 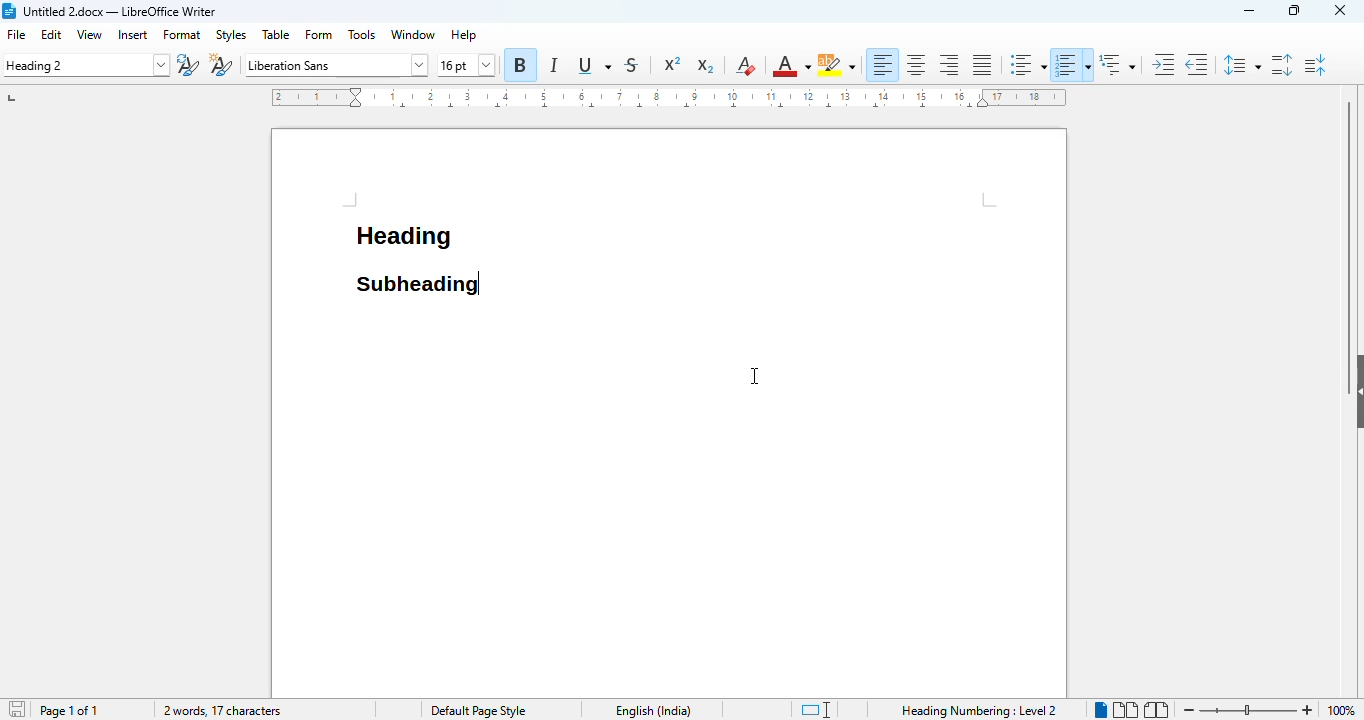 I want to click on hotkey (Ctrl+Shift+S) pressed, so click(x=482, y=283).